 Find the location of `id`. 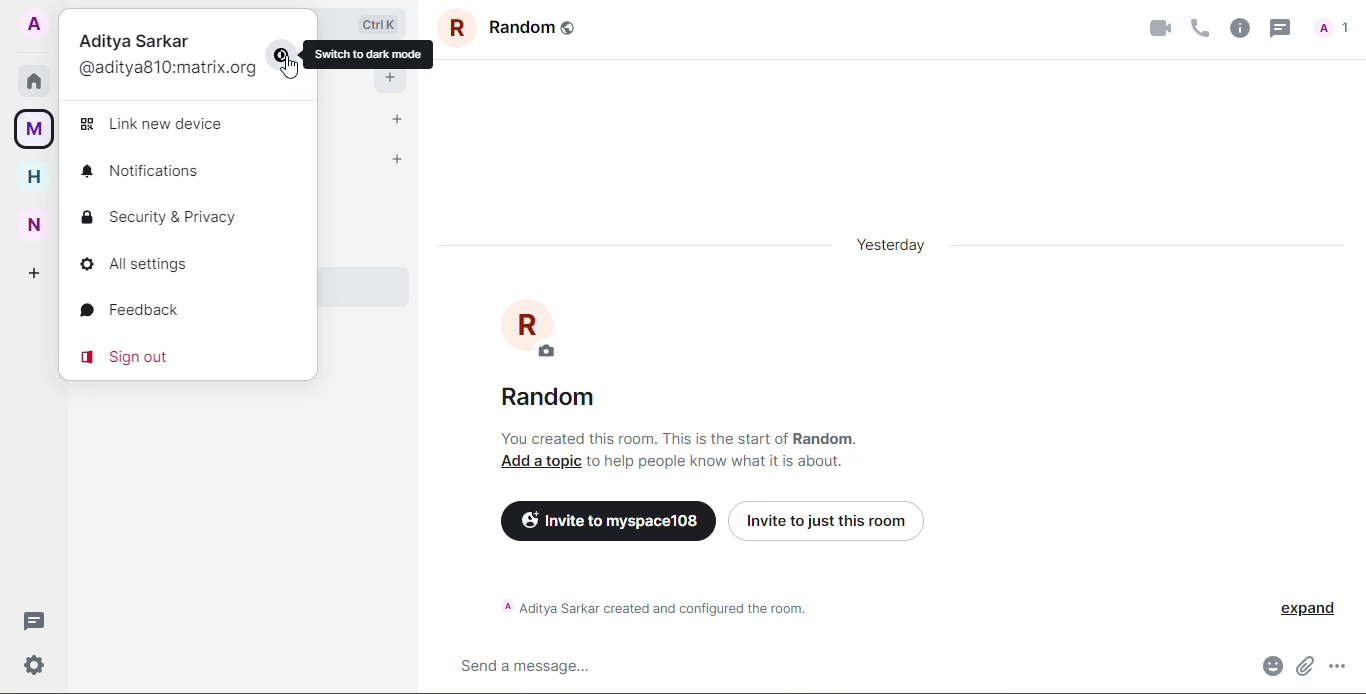

id is located at coordinates (165, 69).